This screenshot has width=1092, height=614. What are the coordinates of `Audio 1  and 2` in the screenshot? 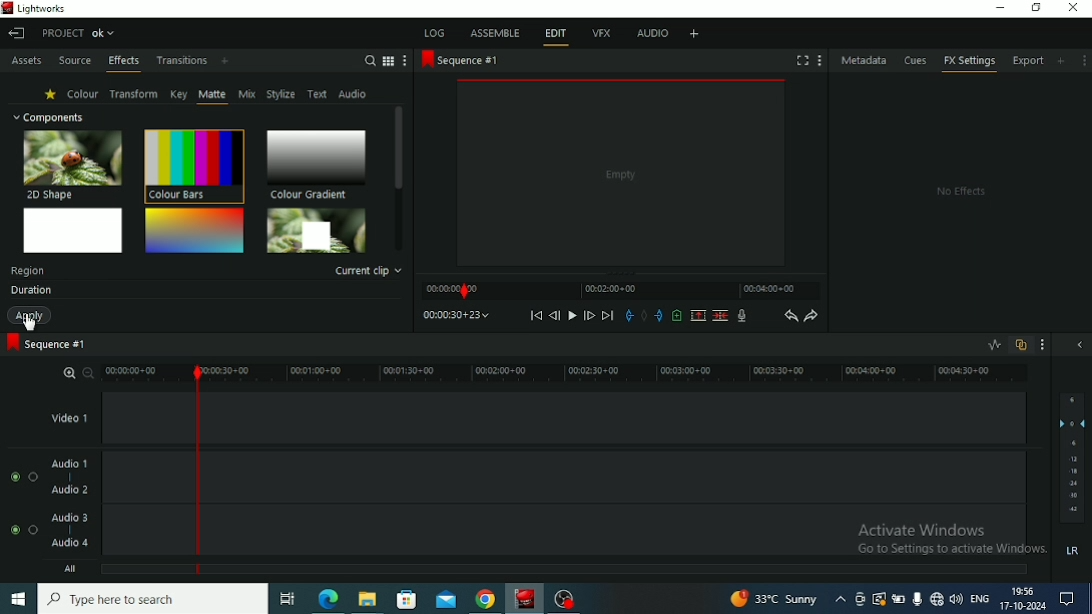 It's located at (626, 477).